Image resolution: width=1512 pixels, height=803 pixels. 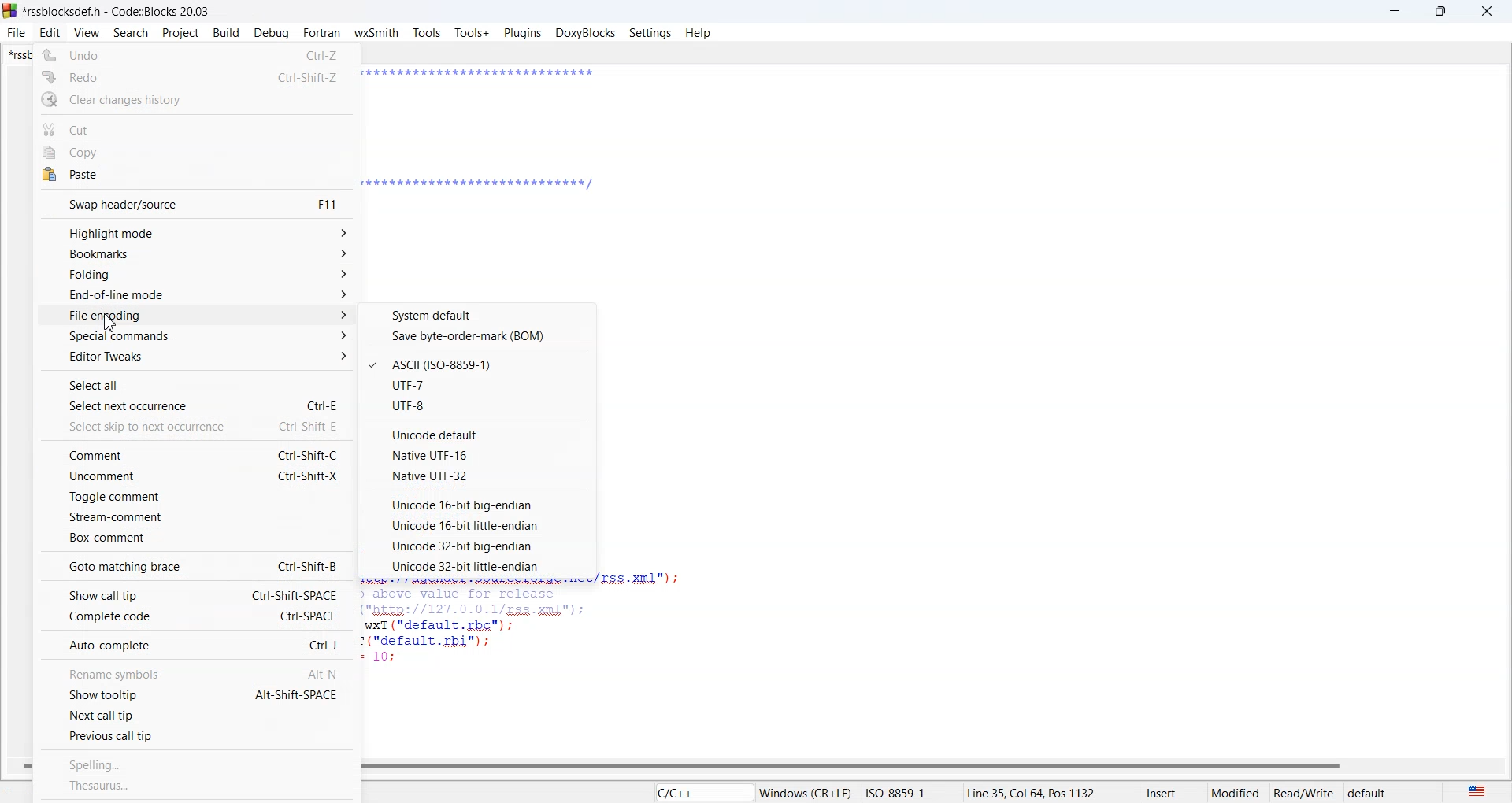 What do you see at coordinates (197, 76) in the screenshot?
I see `Redo` at bounding box center [197, 76].